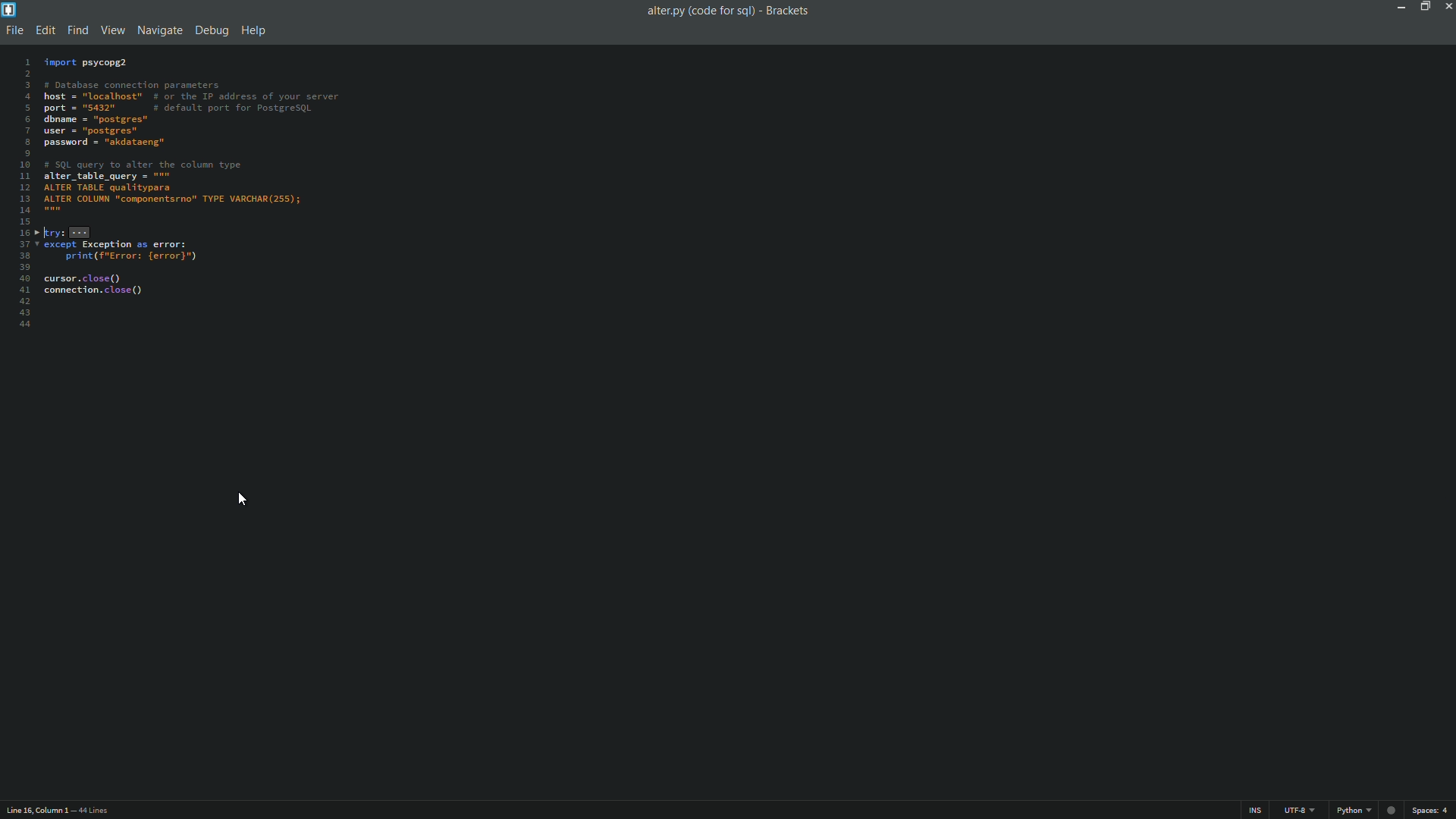  What do you see at coordinates (209, 31) in the screenshot?
I see `debug menu` at bounding box center [209, 31].